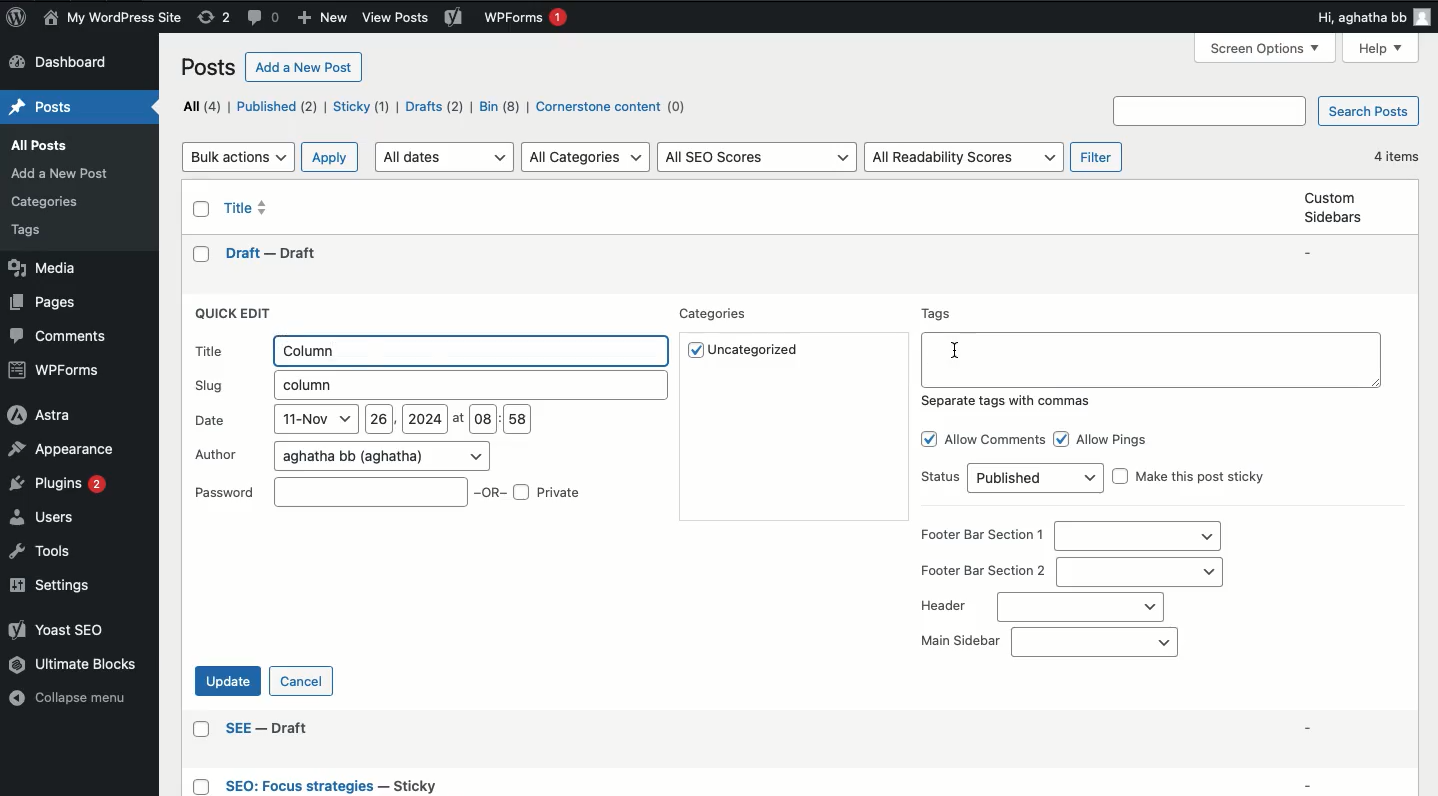 The image size is (1438, 796). Describe the element at coordinates (111, 18) in the screenshot. I see `Name` at that location.